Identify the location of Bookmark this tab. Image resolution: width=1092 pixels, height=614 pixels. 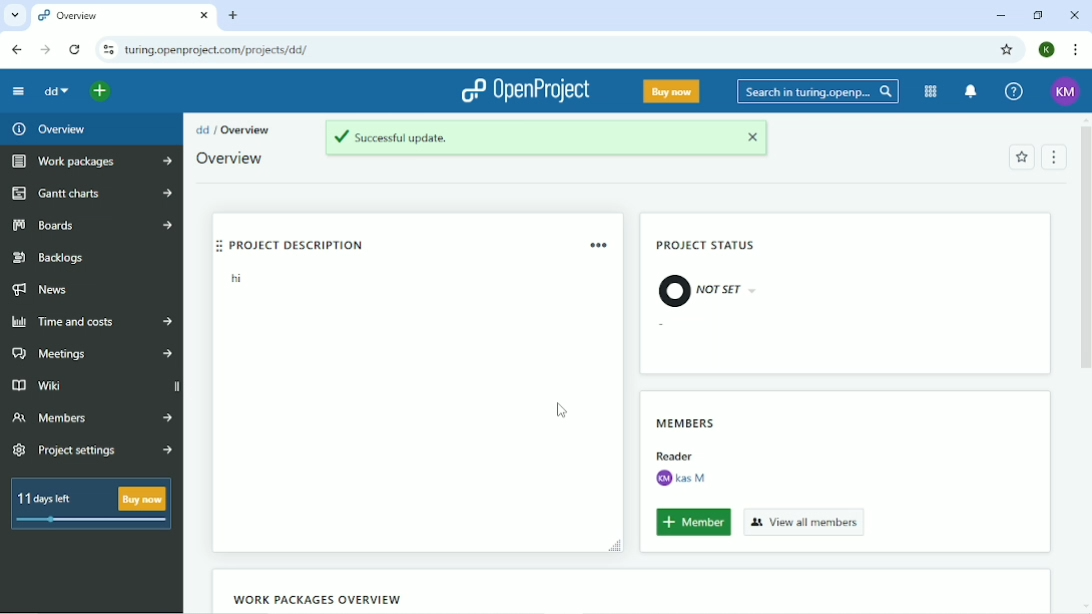
(1006, 49).